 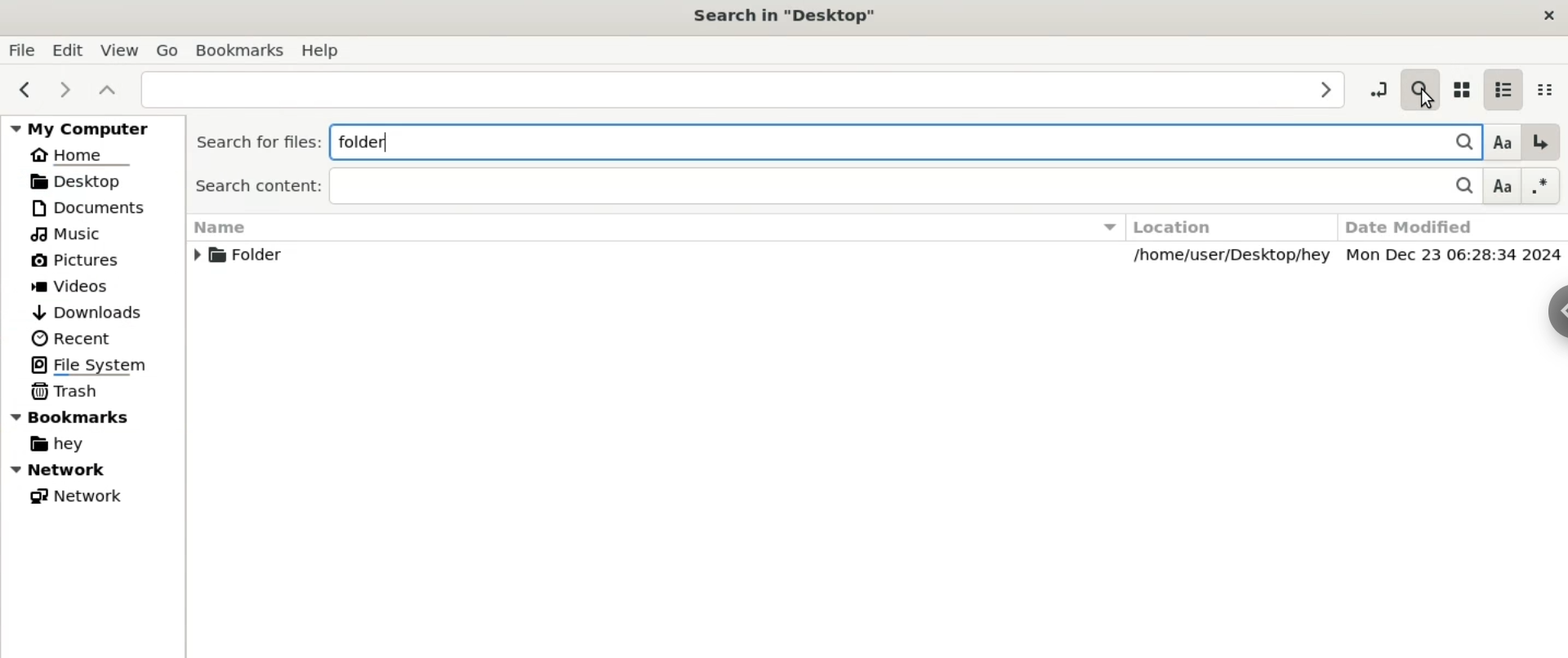 What do you see at coordinates (1234, 226) in the screenshot?
I see `Location` at bounding box center [1234, 226].